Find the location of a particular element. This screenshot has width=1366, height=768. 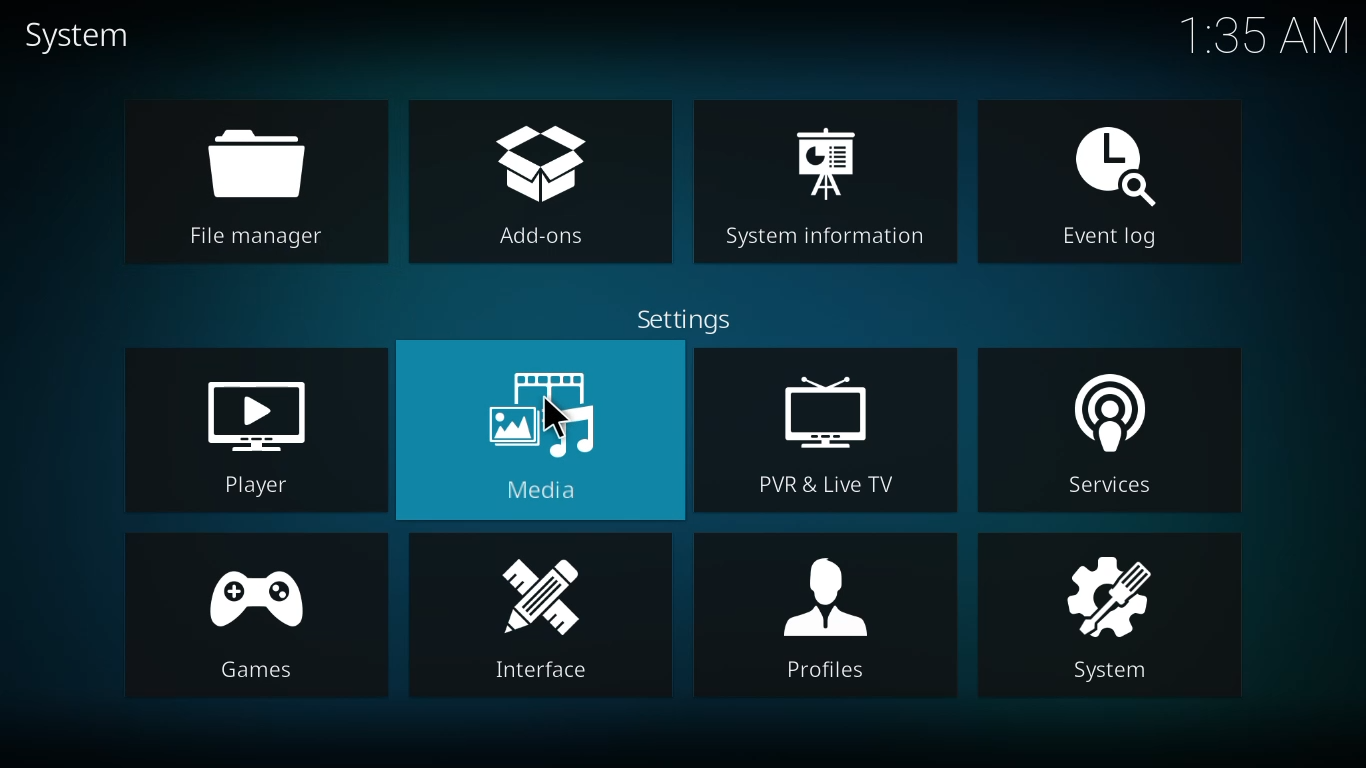

settings is located at coordinates (688, 322).